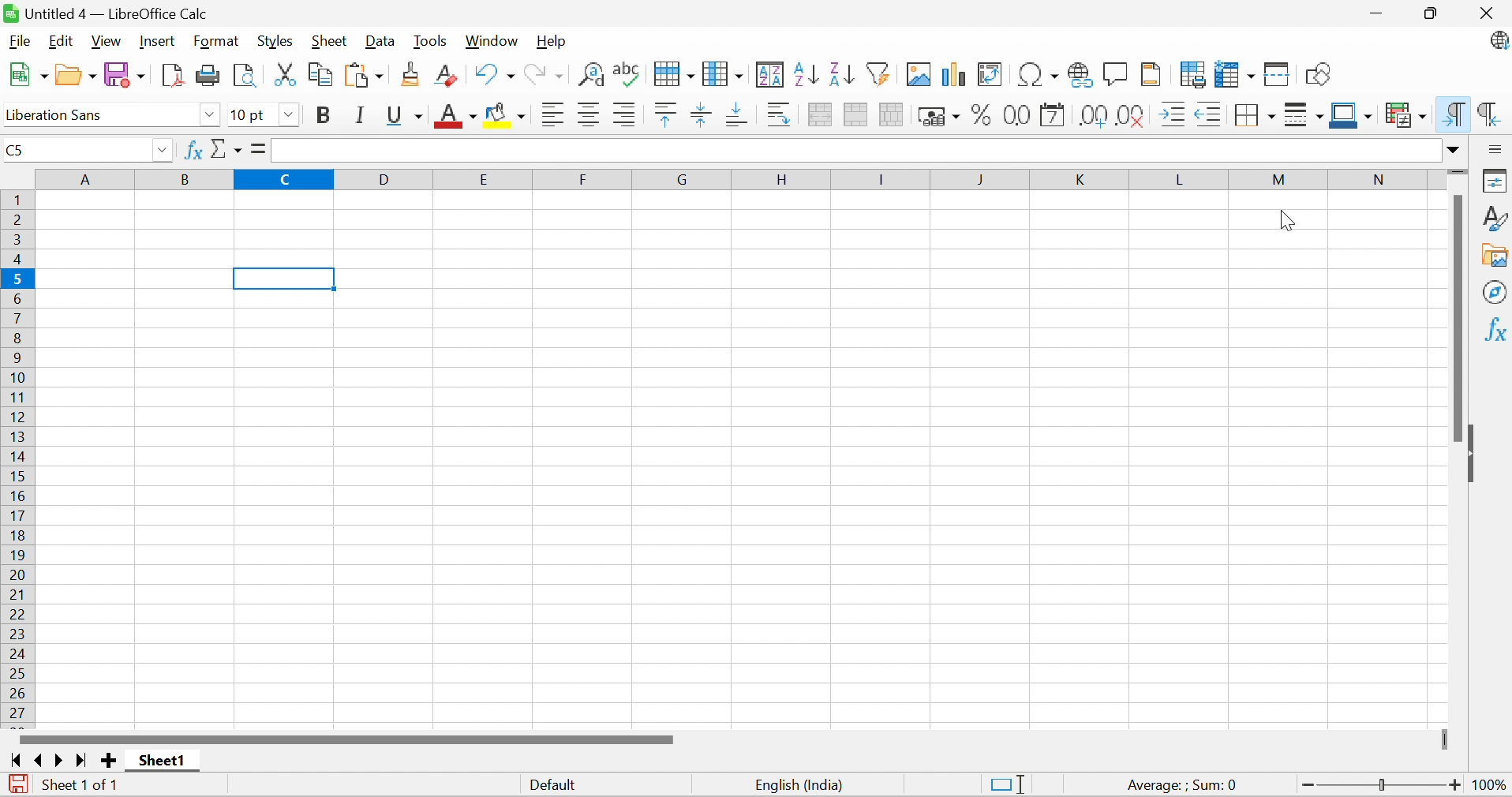  What do you see at coordinates (556, 787) in the screenshot?
I see `Default` at bounding box center [556, 787].